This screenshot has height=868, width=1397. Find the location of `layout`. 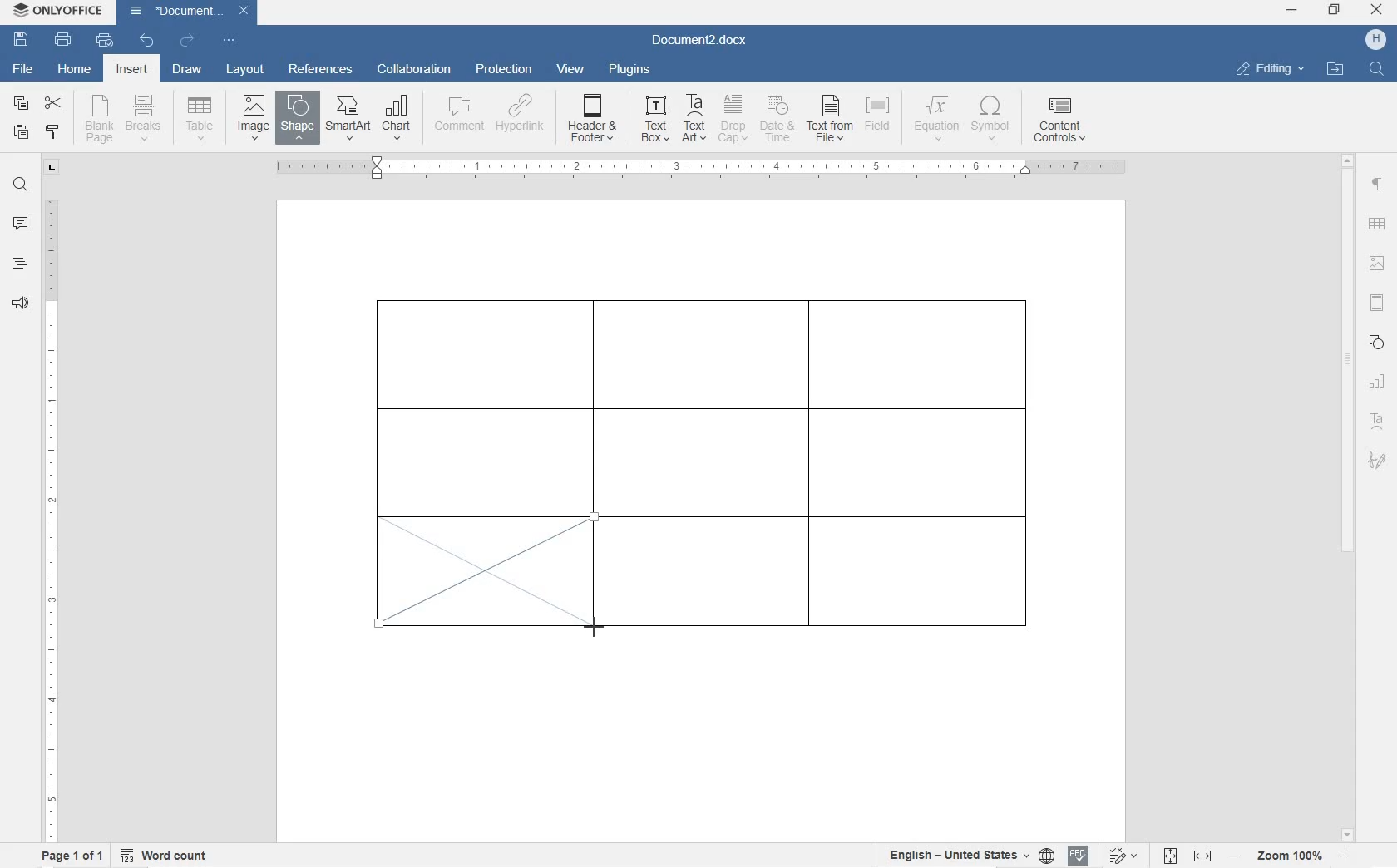

layout is located at coordinates (246, 70).